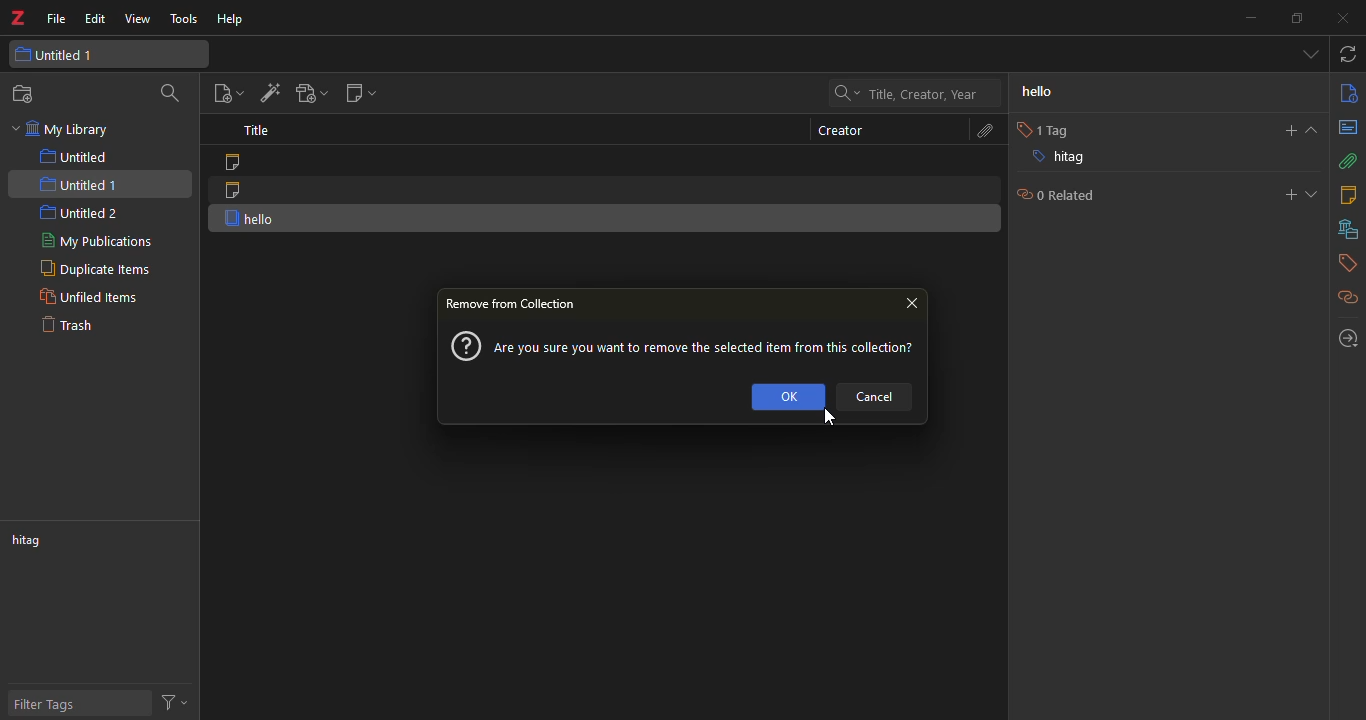 The width and height of the screenshot is (1366, 720). I want to click on z, so click(15, 20).